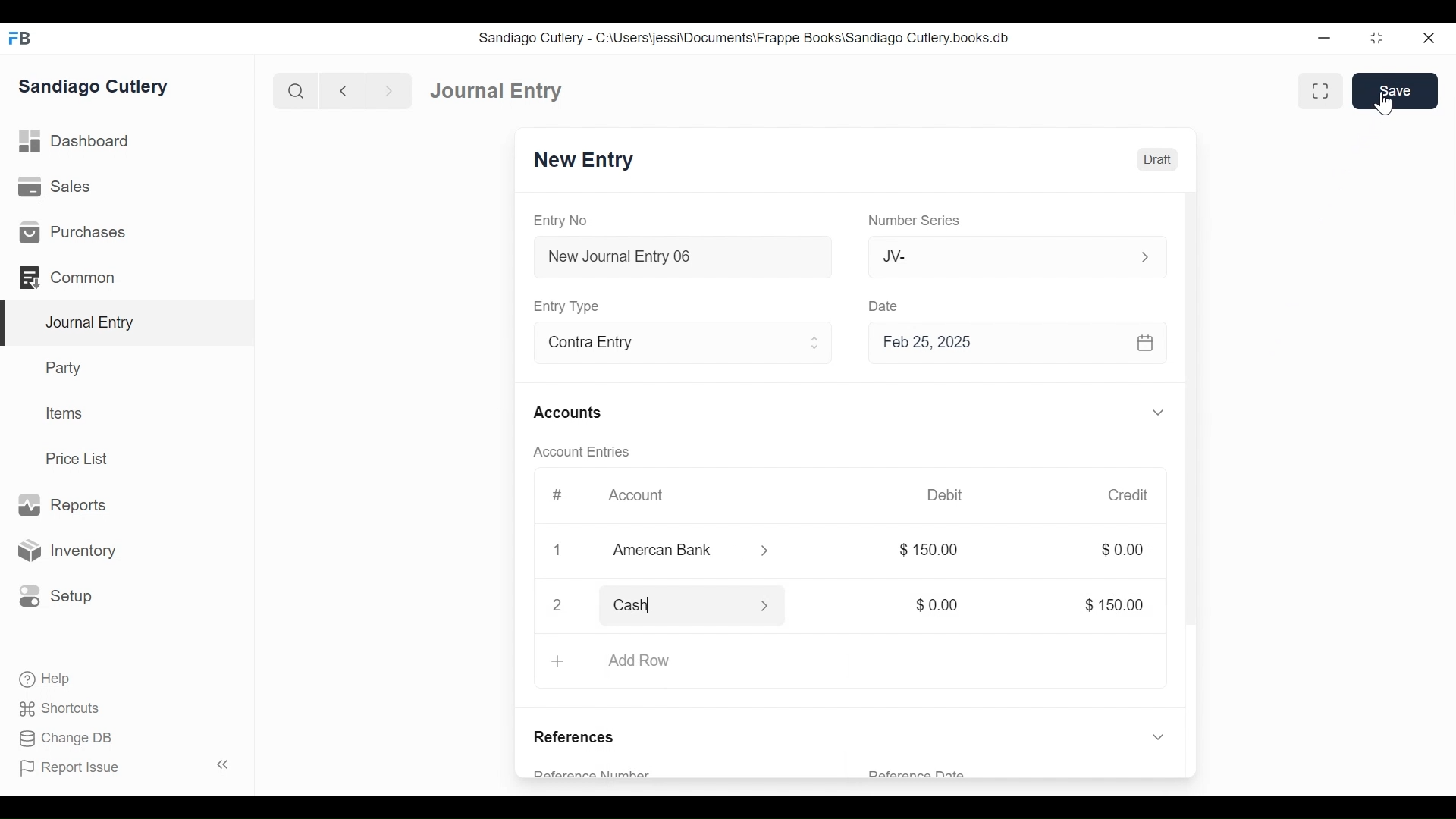 The width and height of the screenshot is (1456, 819). Describe the element at coordinates (60, 187) in the screenshot. I see `Sales` at that location.